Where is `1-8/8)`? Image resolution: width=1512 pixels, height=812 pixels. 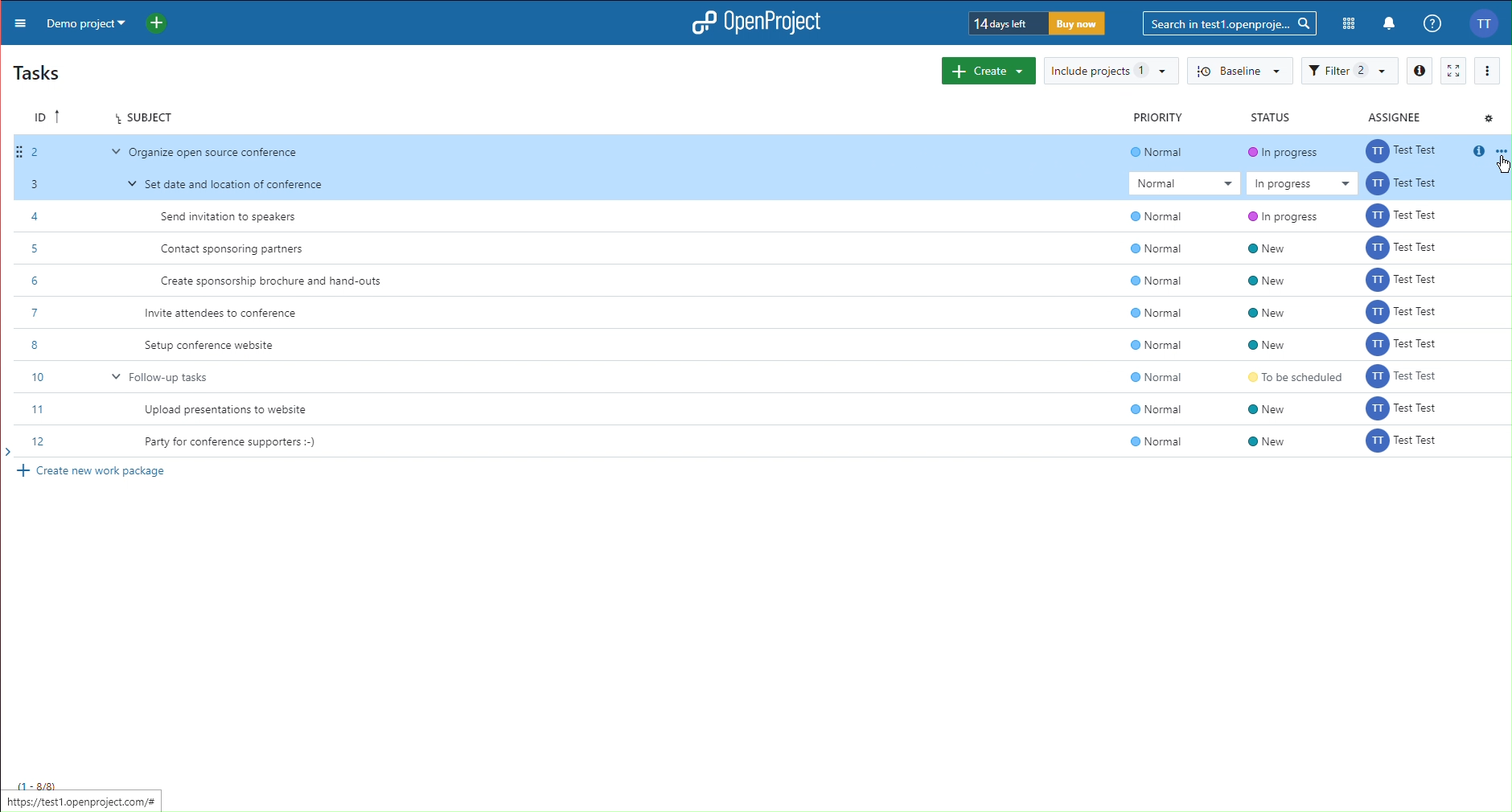 1-8/8) is located at coordinates (43, 781).